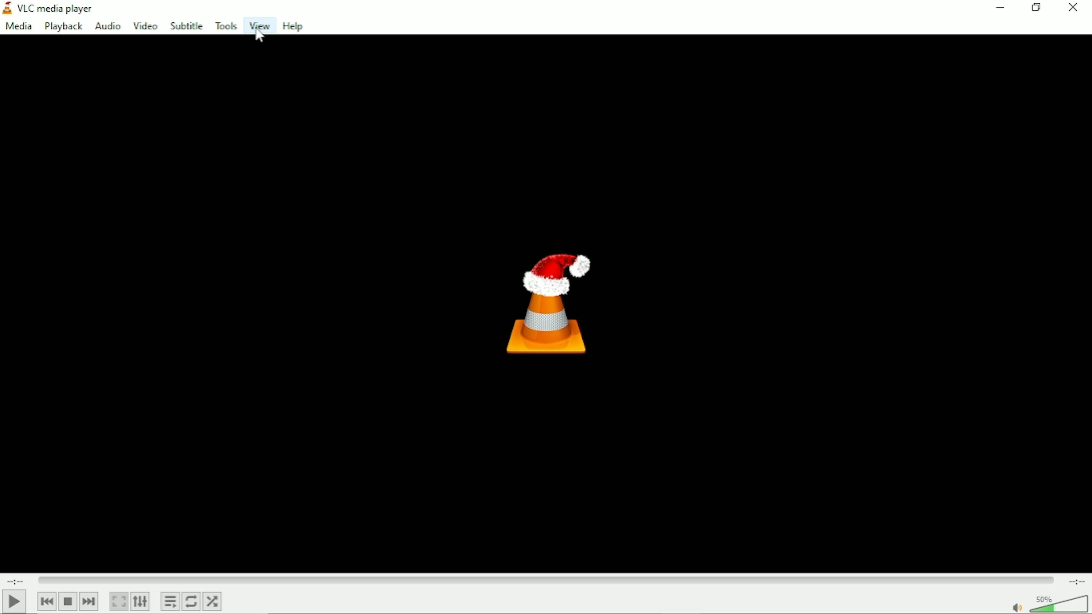  I want to click on Total duration, so click(1076, 580).